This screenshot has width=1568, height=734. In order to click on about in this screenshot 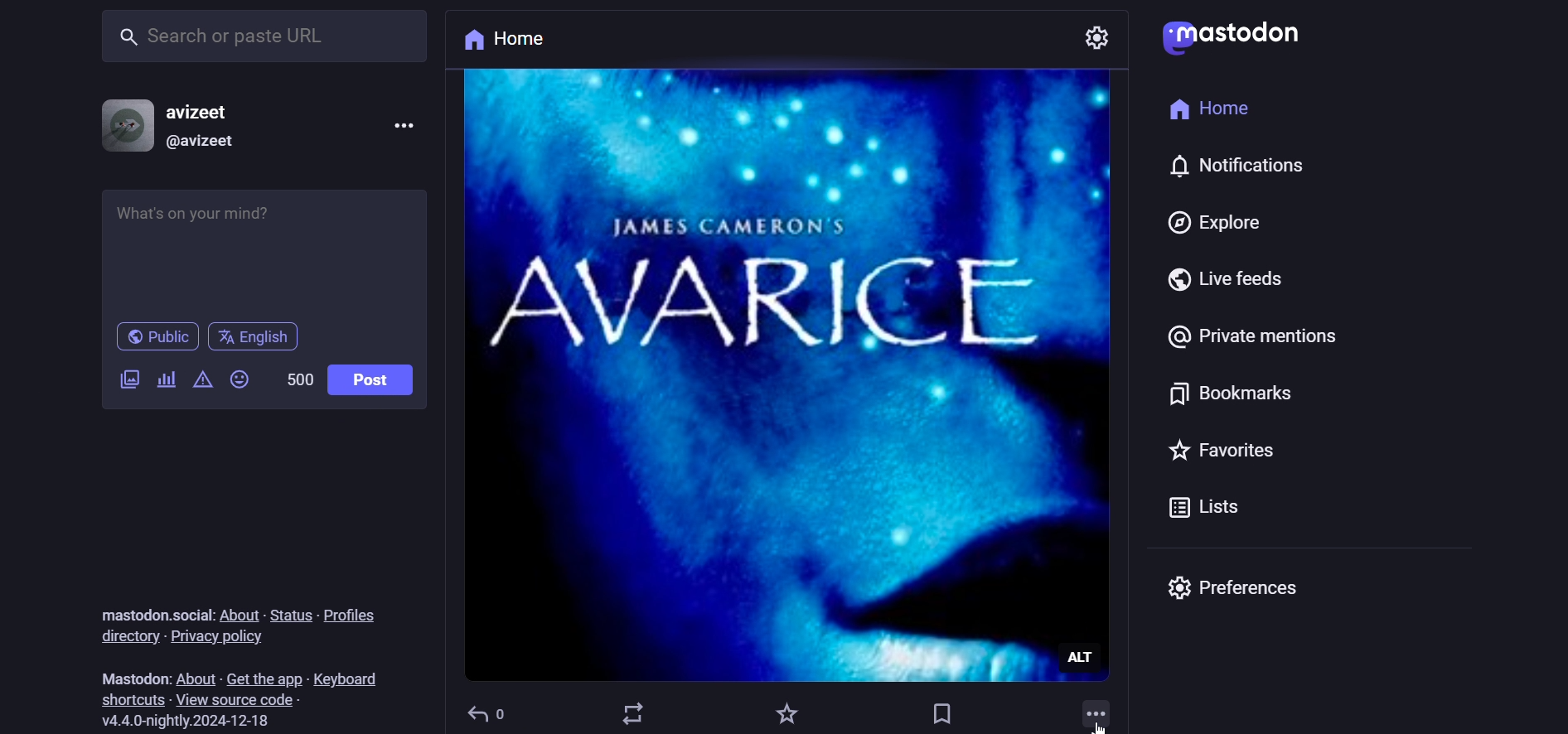, I will do `click(192, 678)`.